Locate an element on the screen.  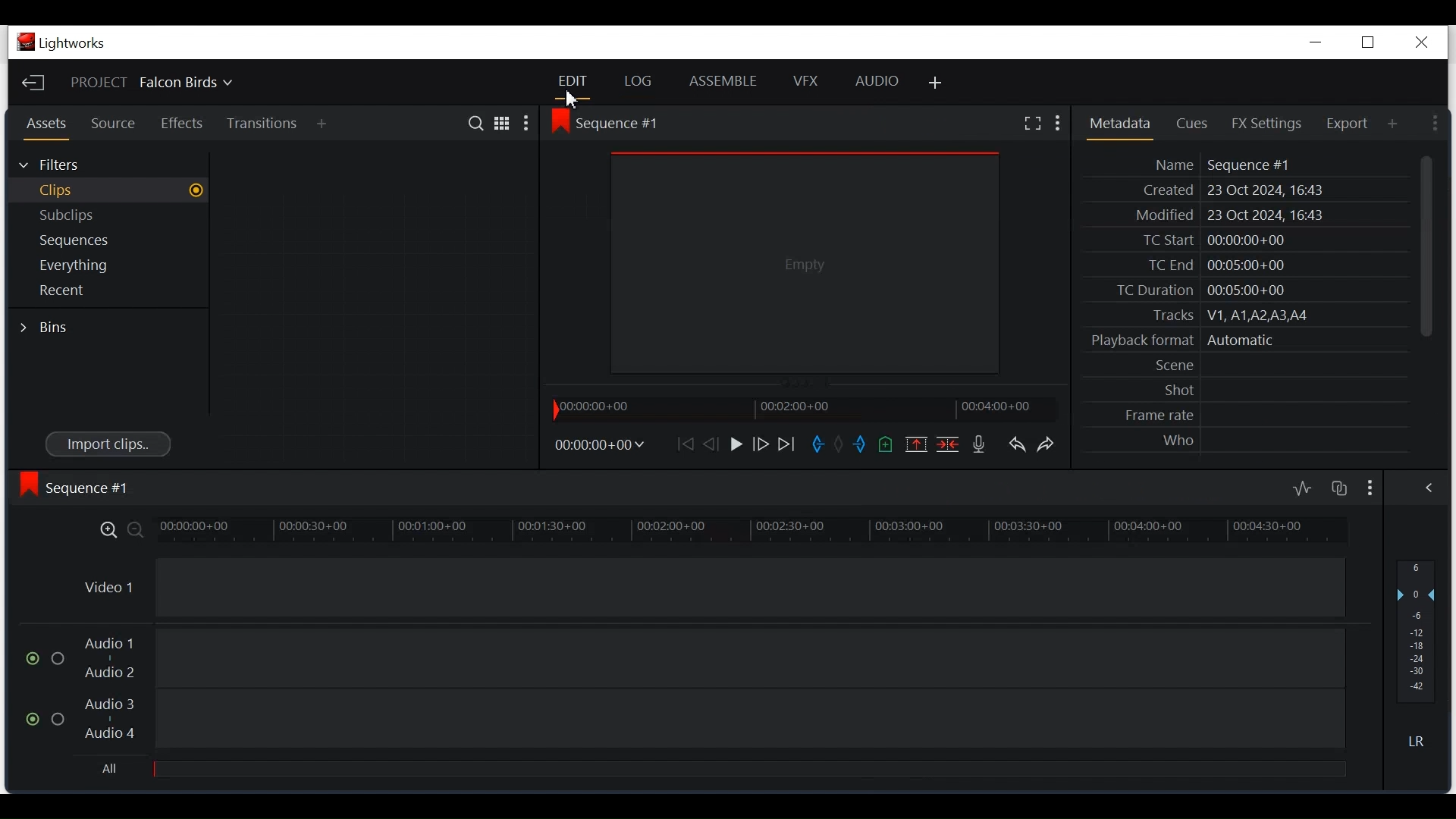
Cues is located at coordinates (1191, 125).